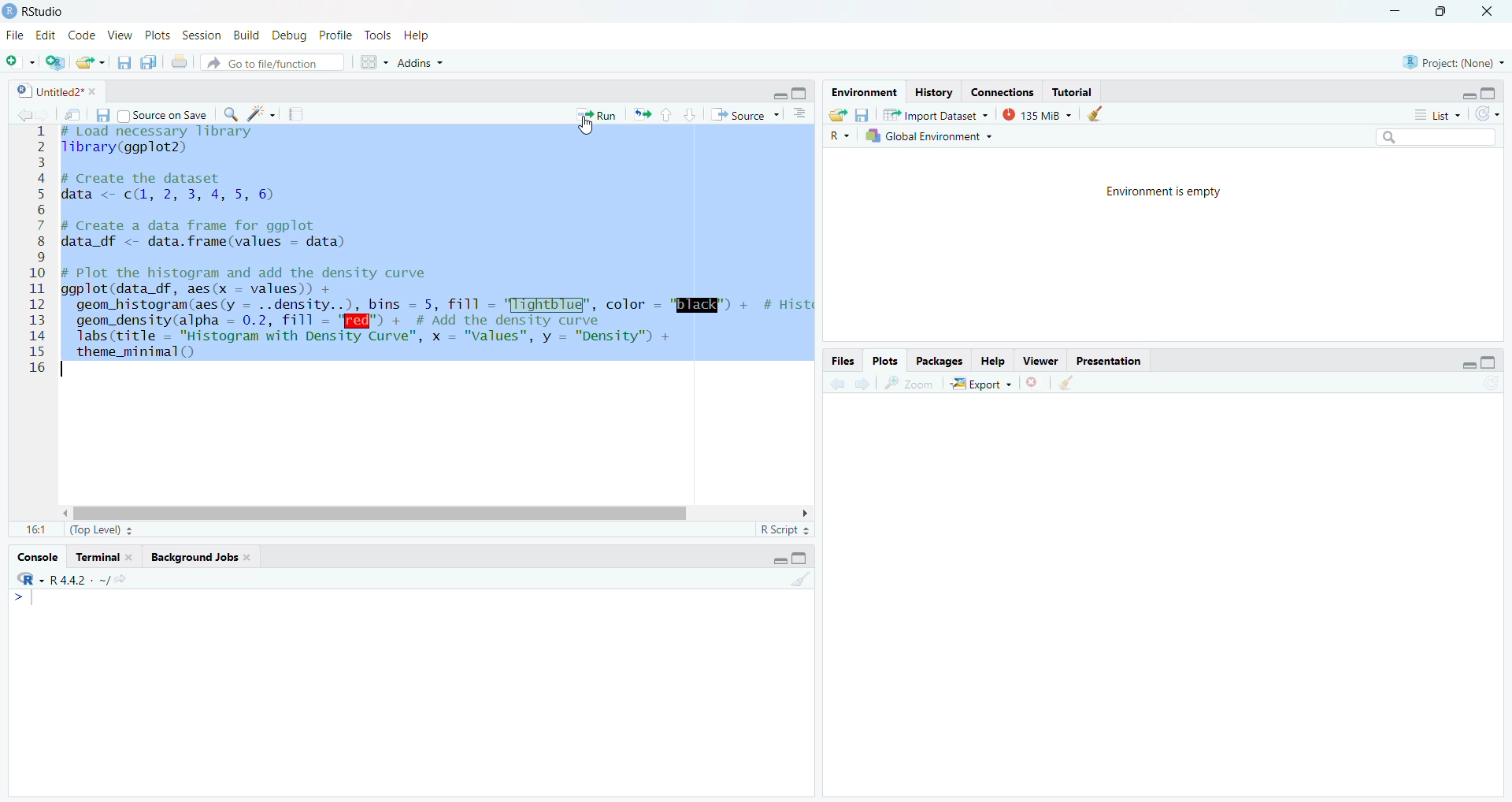 The image size is (1512, 802). What do you see at coordinates (1443, 12) in the screenshot?
I see `maximize` at bounding box center [1443, 12].